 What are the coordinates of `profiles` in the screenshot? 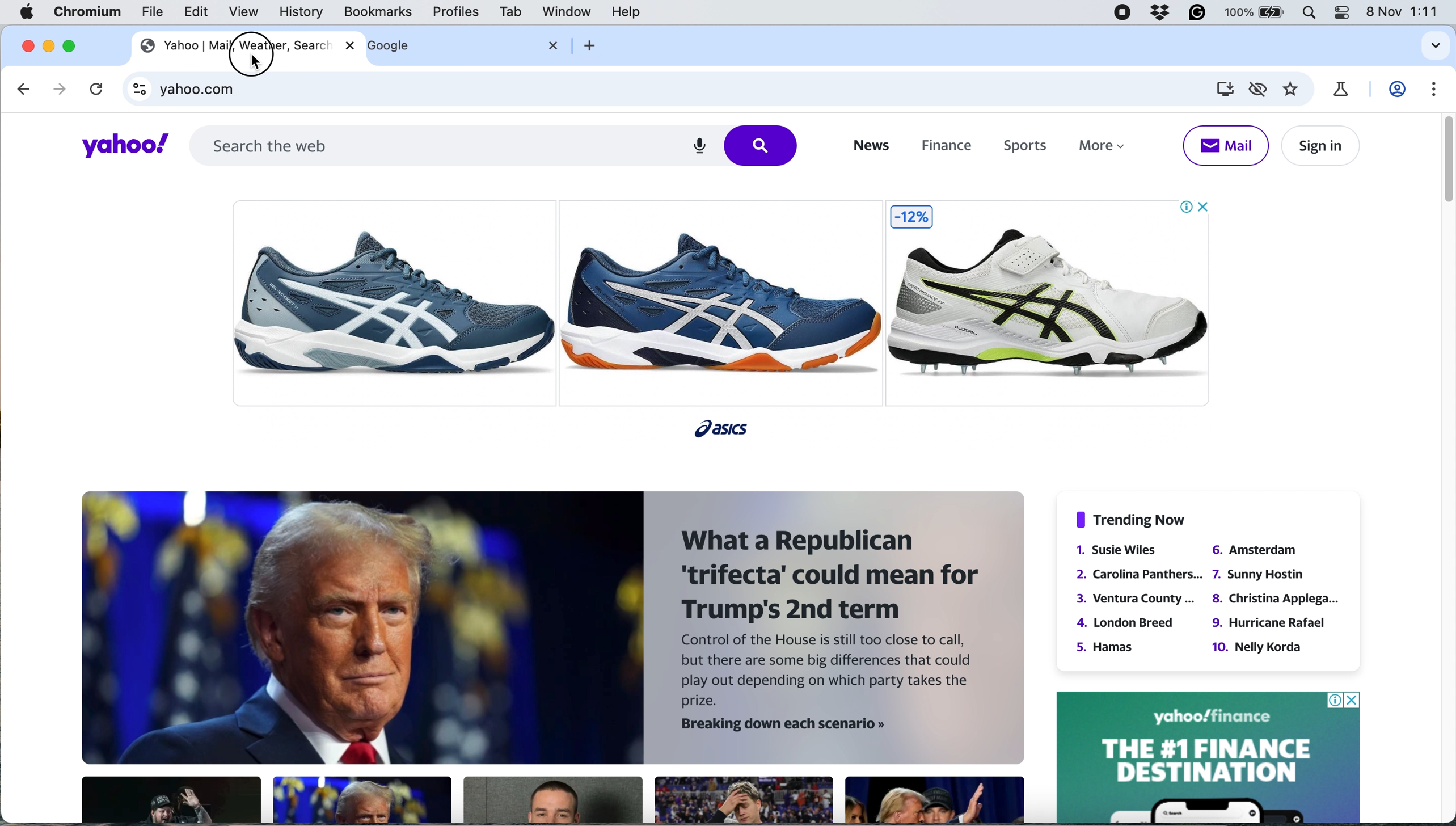 It's located at (457, 12).